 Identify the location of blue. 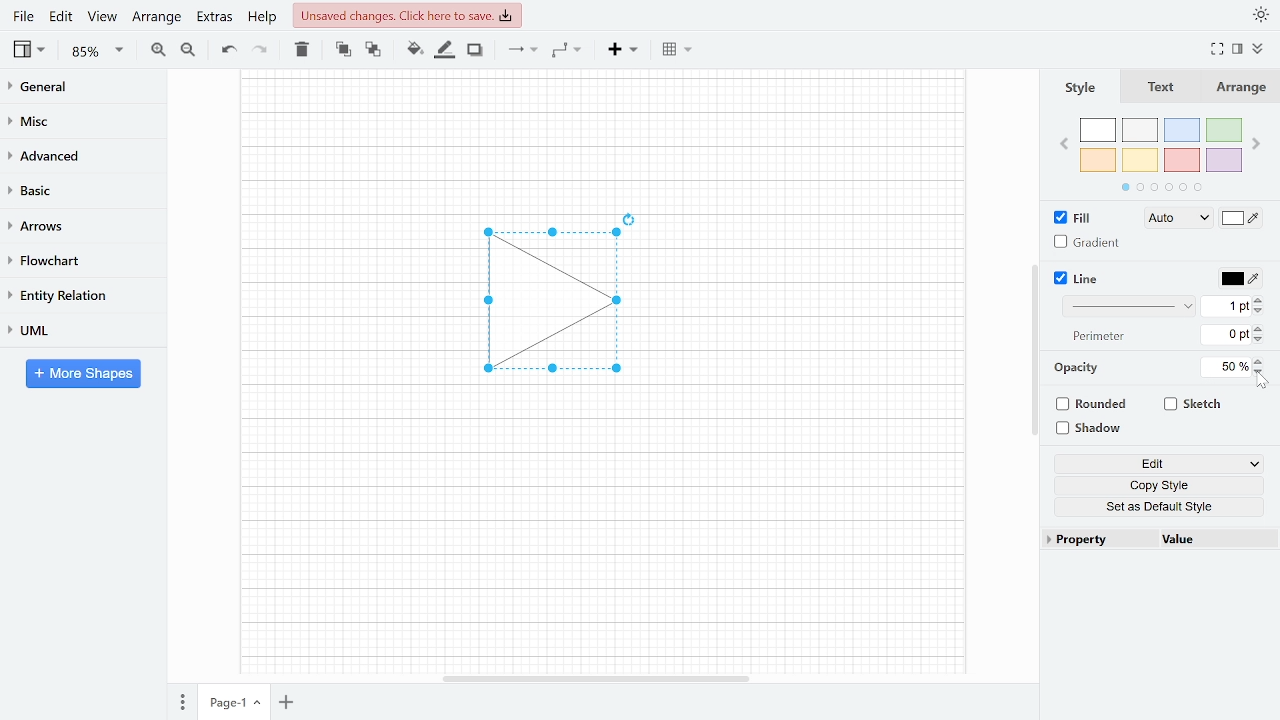
(1184, 130).